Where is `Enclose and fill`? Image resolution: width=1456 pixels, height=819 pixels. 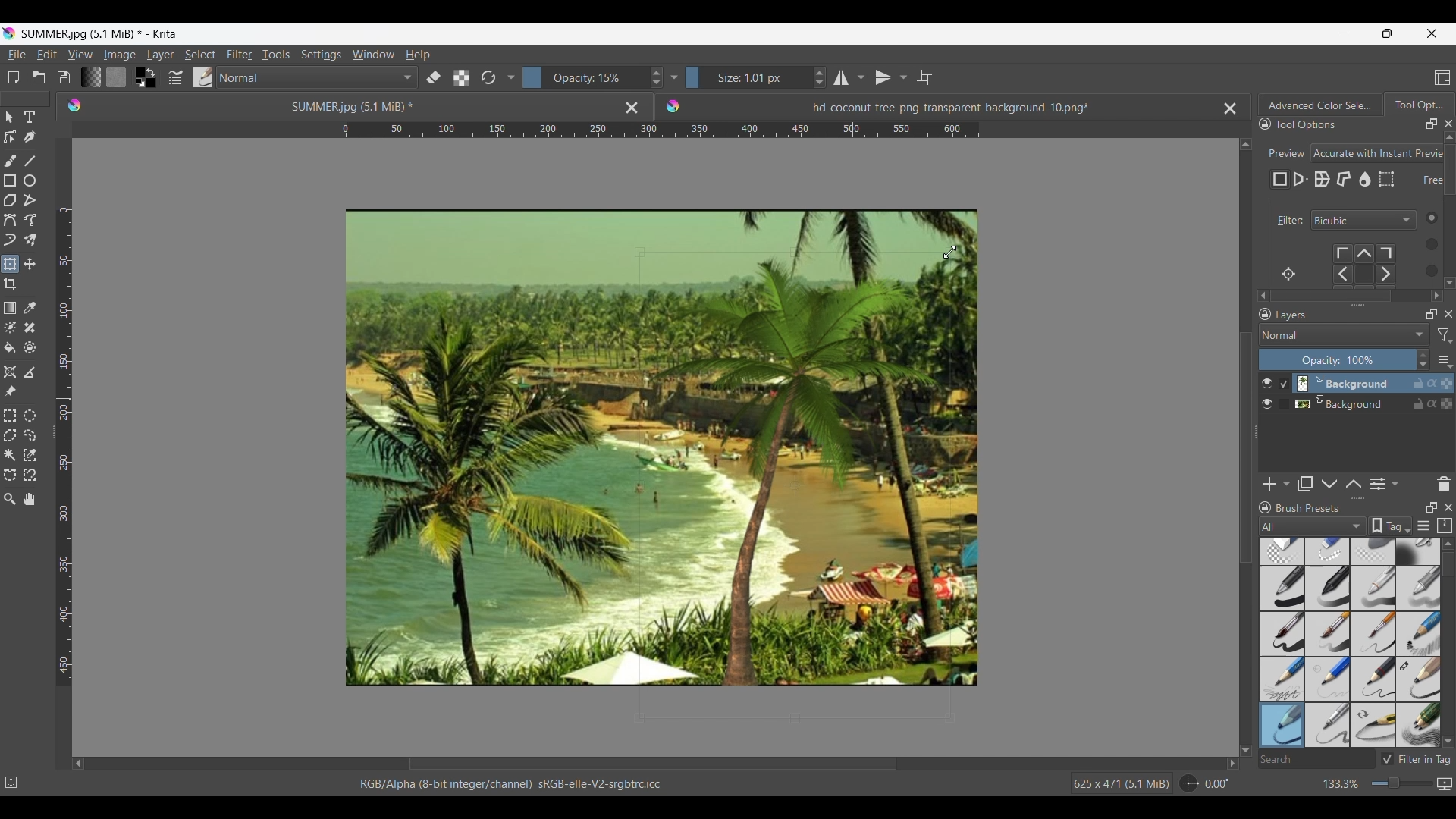
Enclose and fill is located at coordinates (29, 348).